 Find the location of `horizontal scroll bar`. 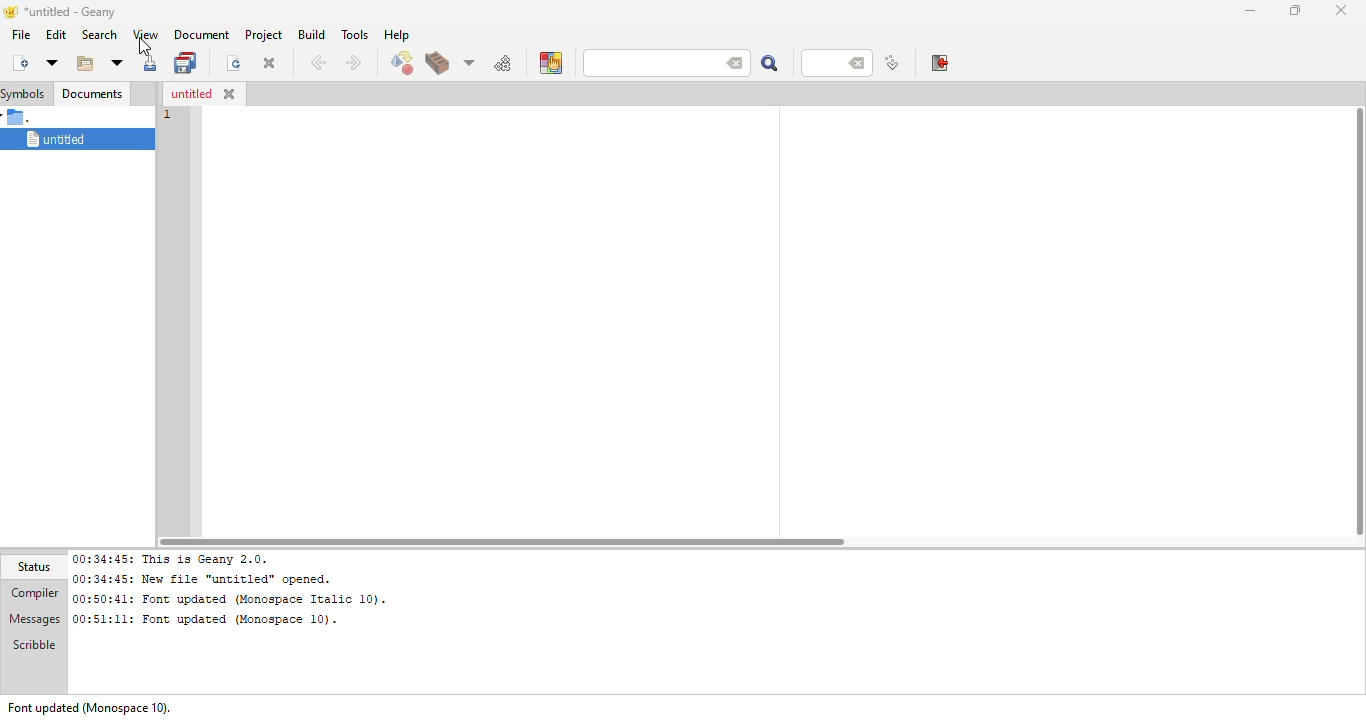

horizontal scroll bar is located at coordinates (496, 538).